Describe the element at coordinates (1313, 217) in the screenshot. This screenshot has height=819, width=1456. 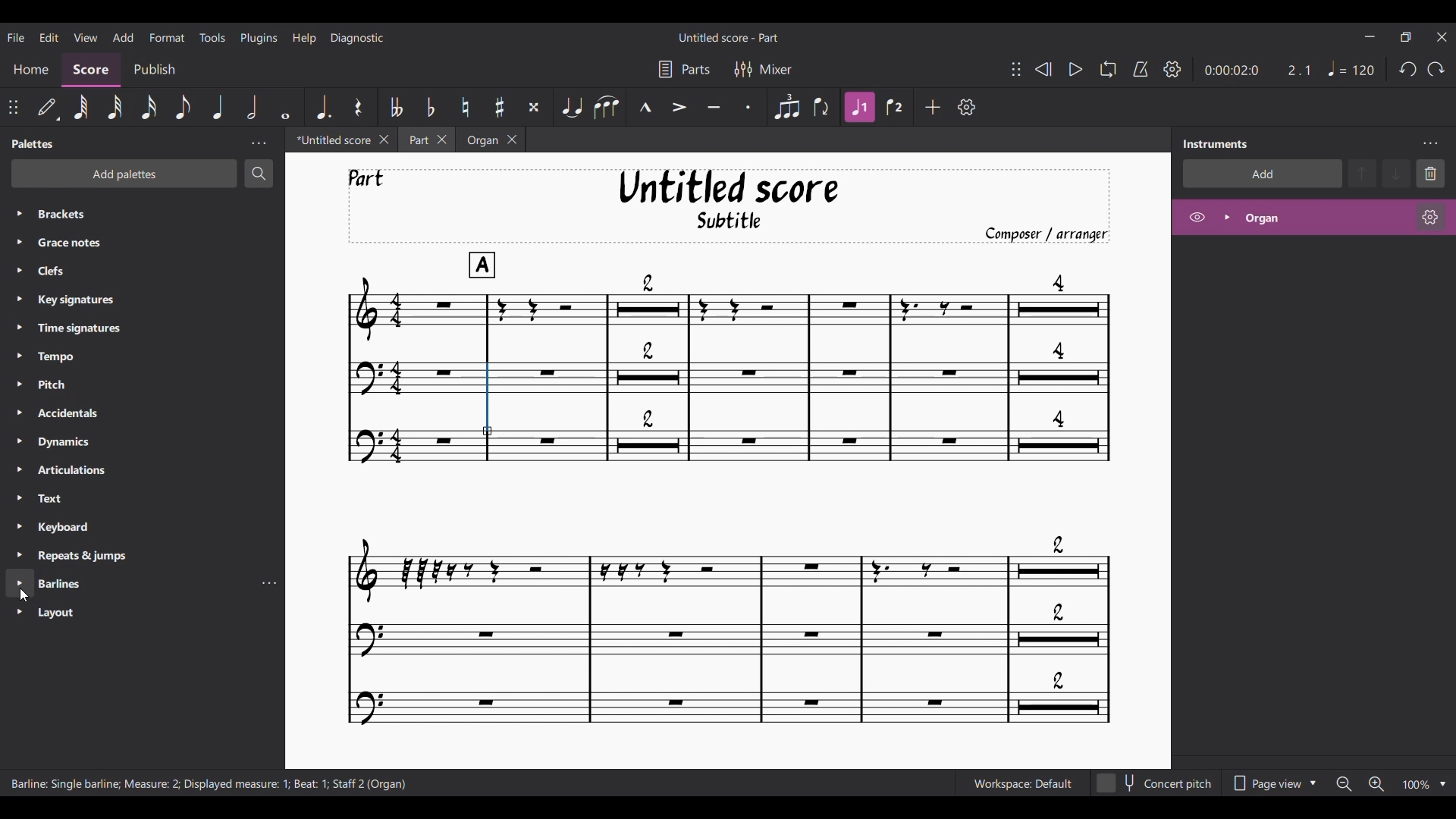
I see `Highlighted after current selection` at that location.